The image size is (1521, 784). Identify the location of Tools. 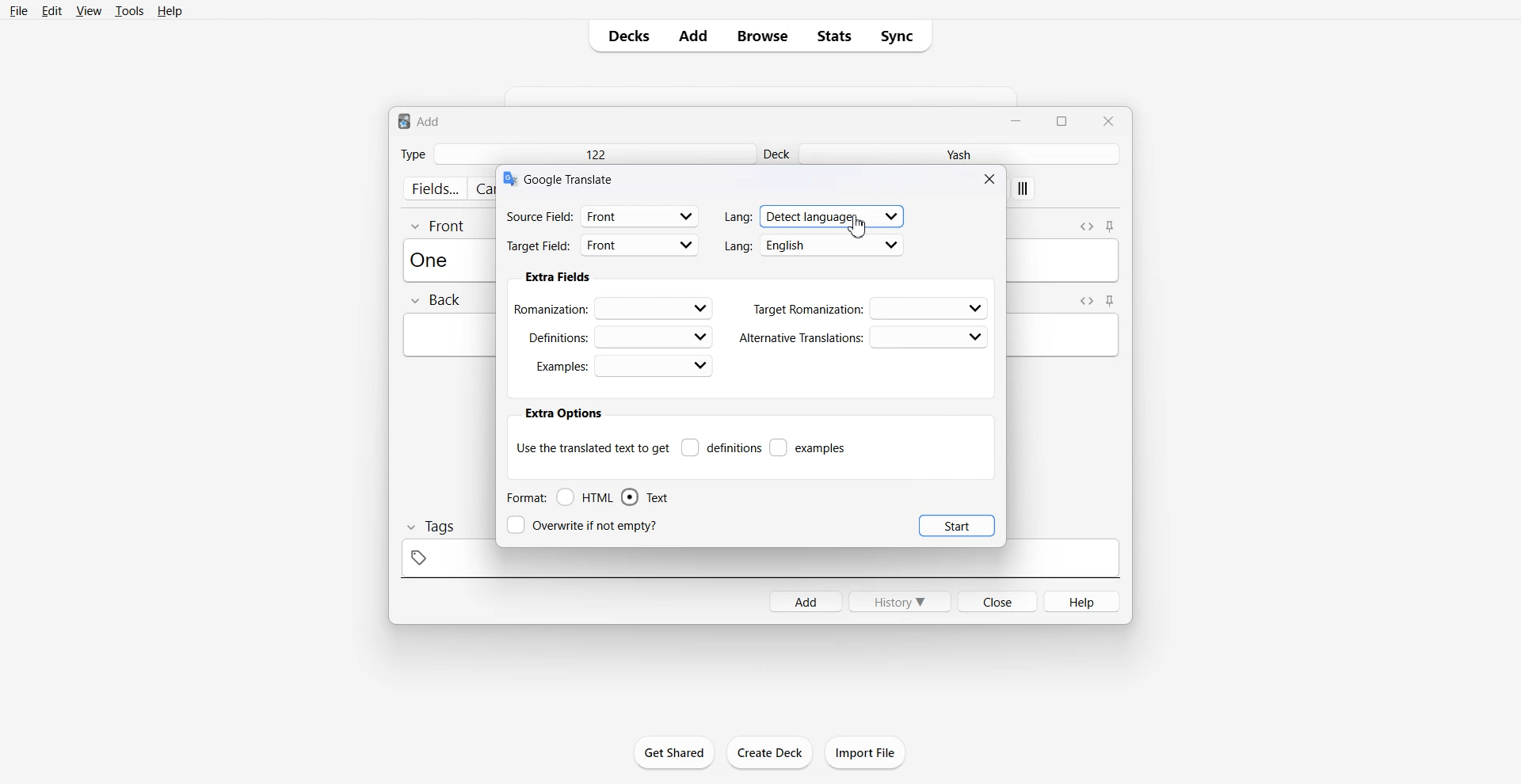
(129, 10).